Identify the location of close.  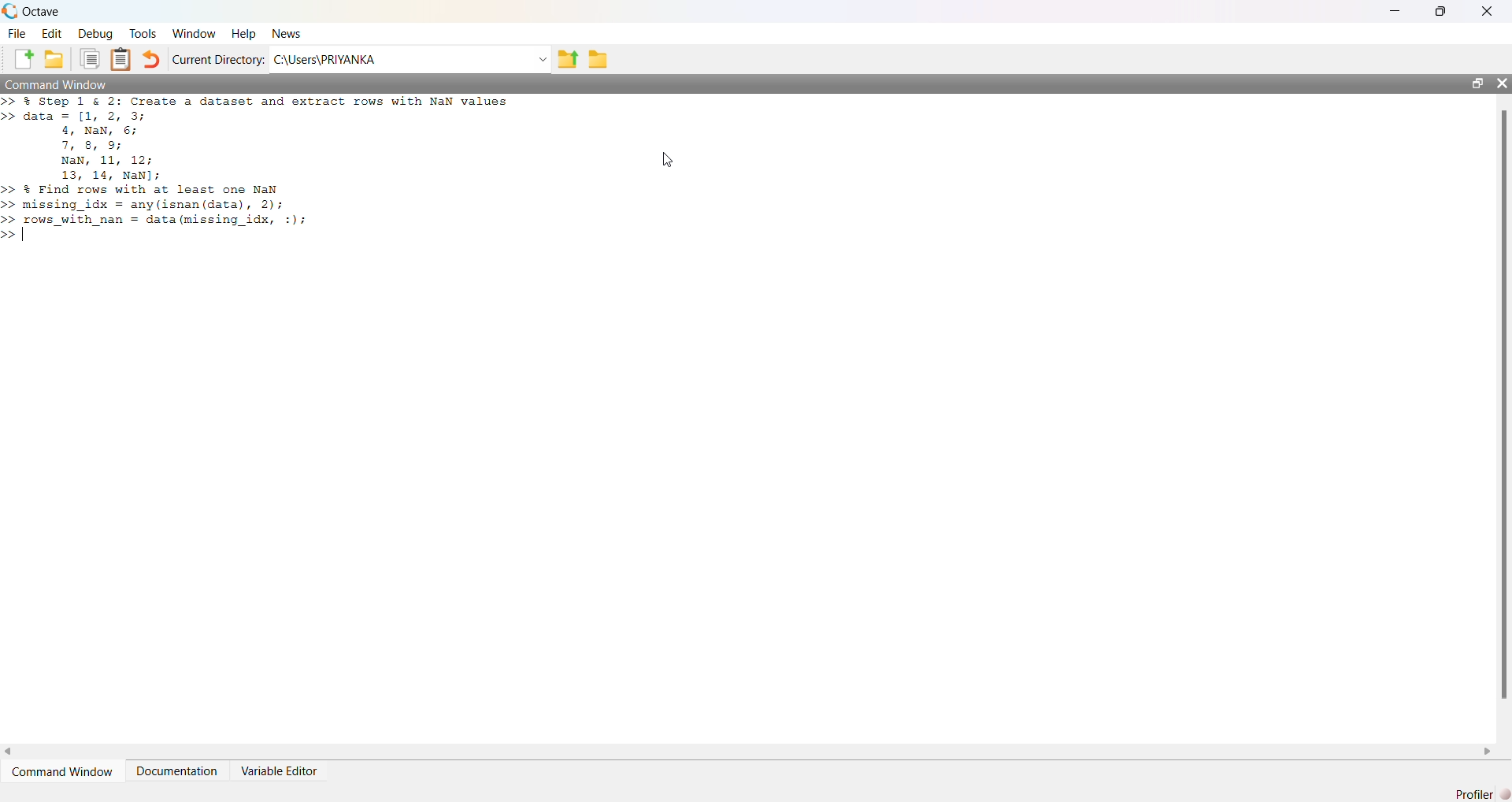
(1488, 12).